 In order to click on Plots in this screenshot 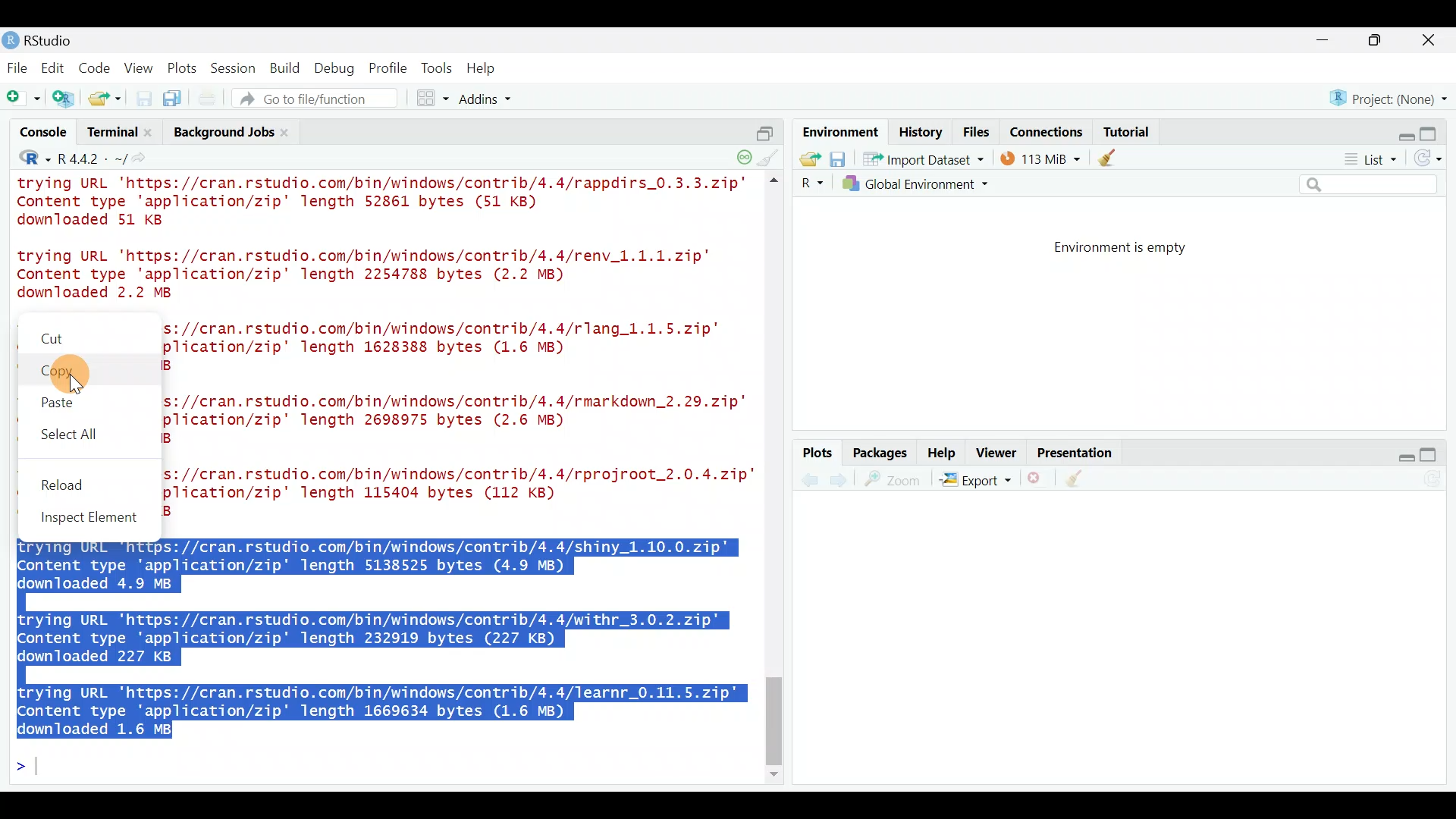, I will do `click(183, 65)`.